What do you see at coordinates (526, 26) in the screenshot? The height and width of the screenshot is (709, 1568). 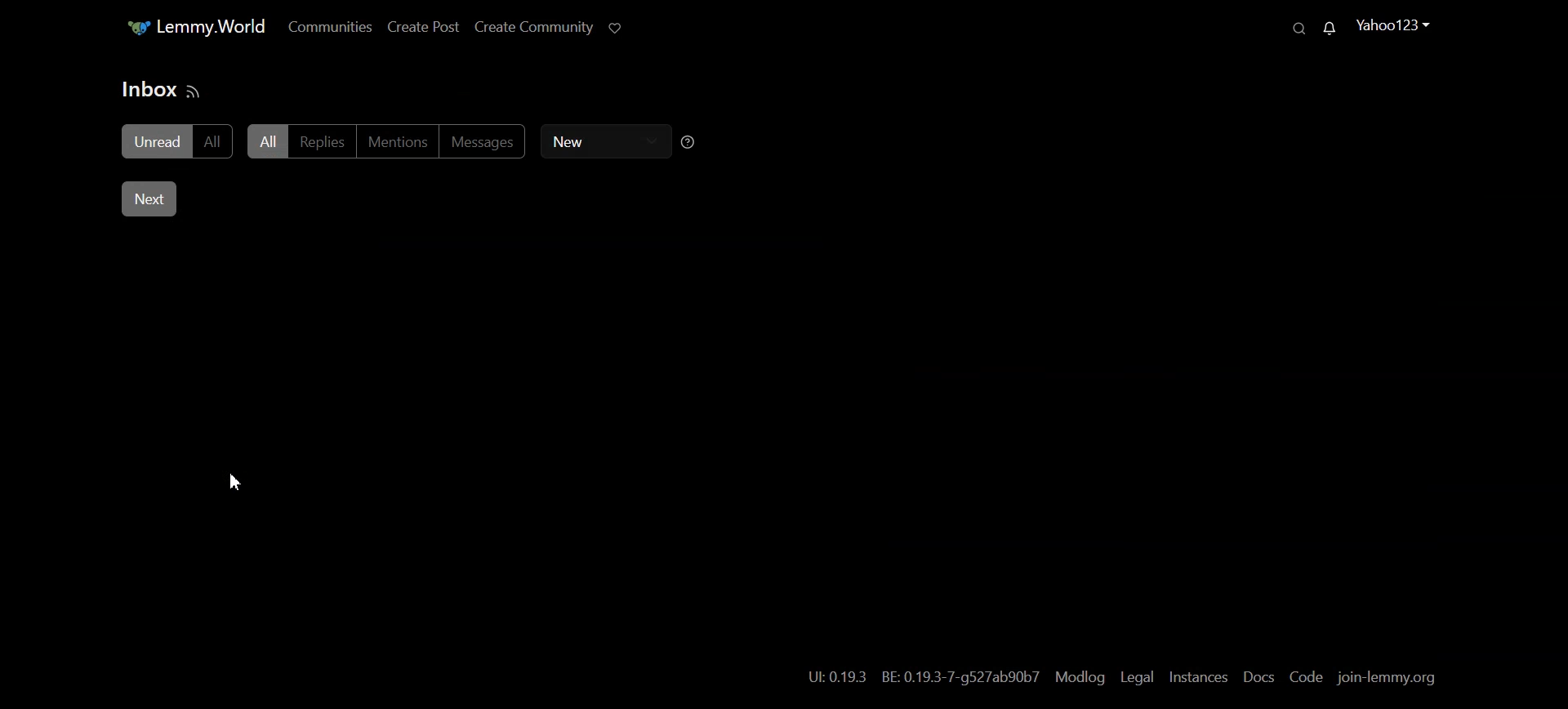 I see `Create Community ` at bounding box center [526, 26].